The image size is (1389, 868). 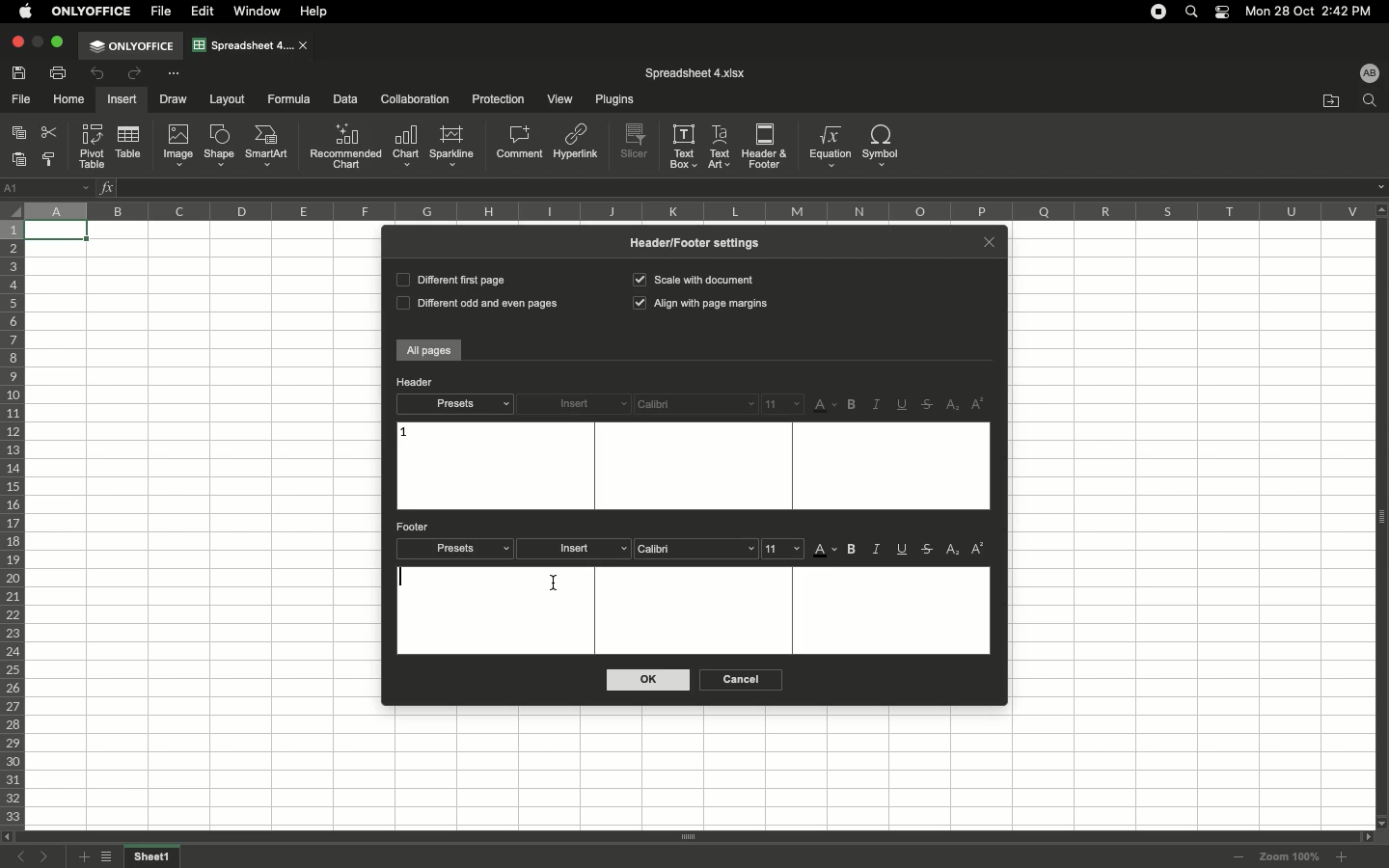 What do you see at coordinates (695, 73) in the screenshot?
I see `File name` at bounding box center [695, 73].